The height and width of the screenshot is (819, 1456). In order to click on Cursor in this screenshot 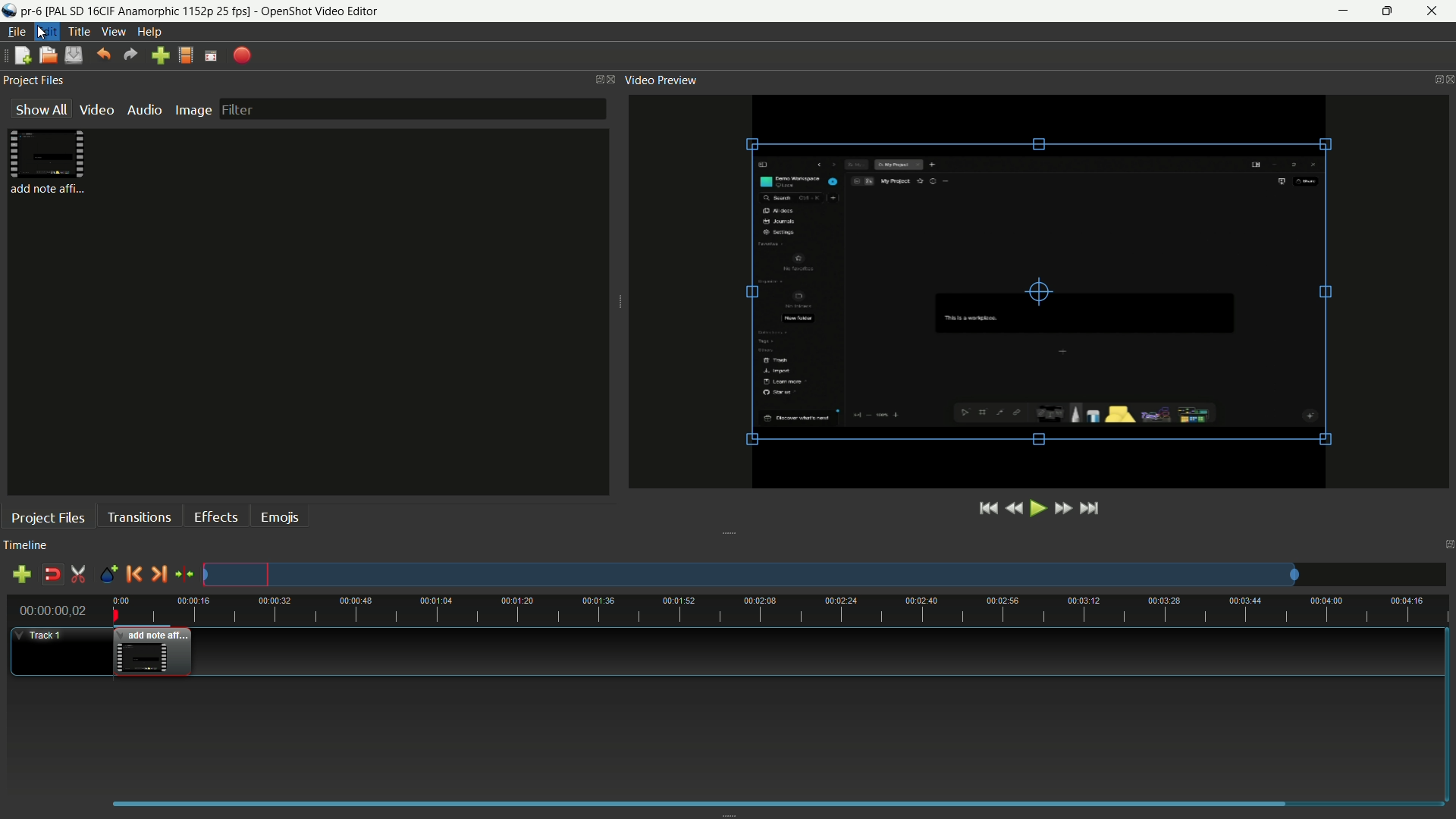, I will do `click(41, 32)`.